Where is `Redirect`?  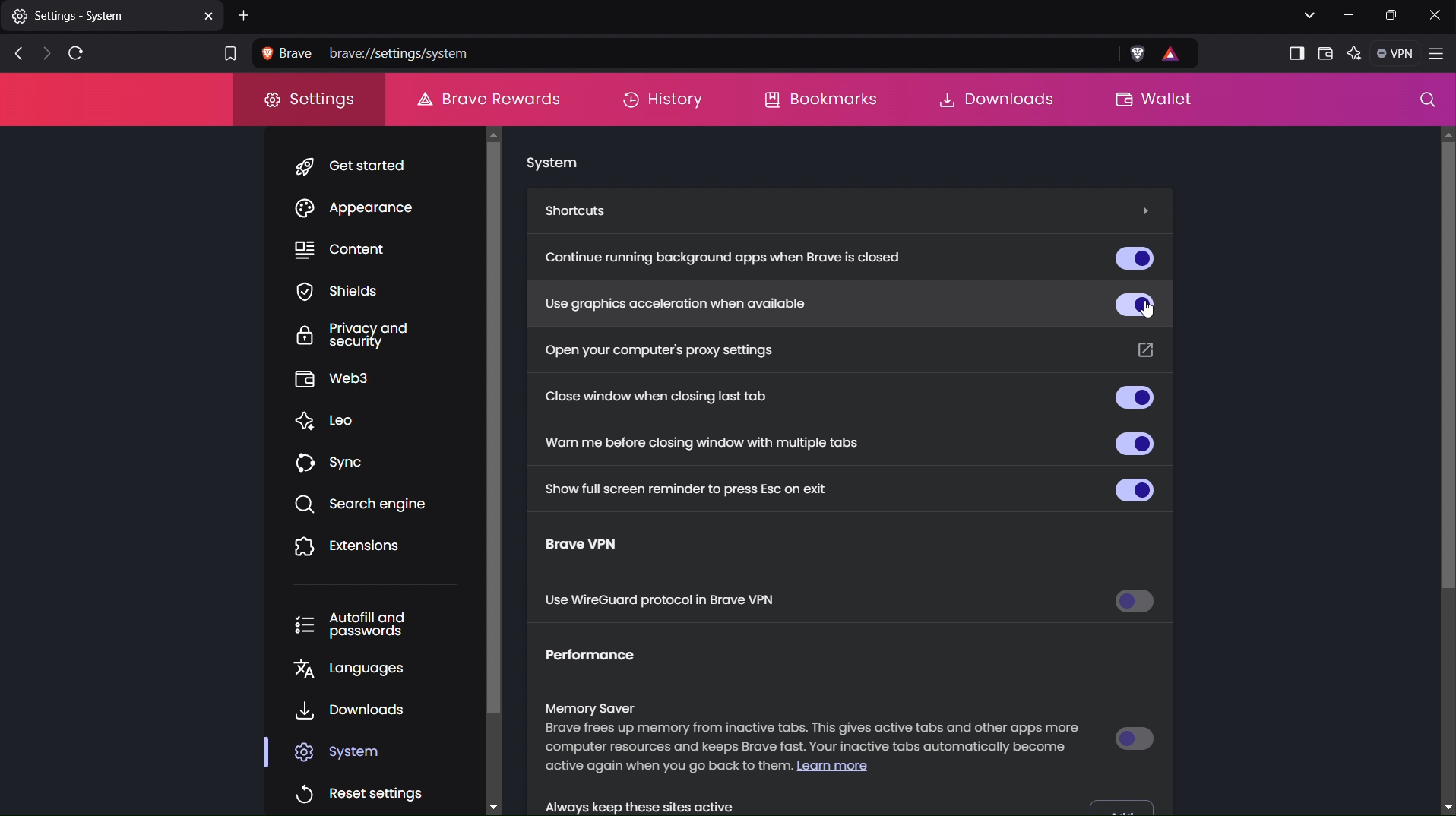 Redirect is located at coordinates (1145, 349).